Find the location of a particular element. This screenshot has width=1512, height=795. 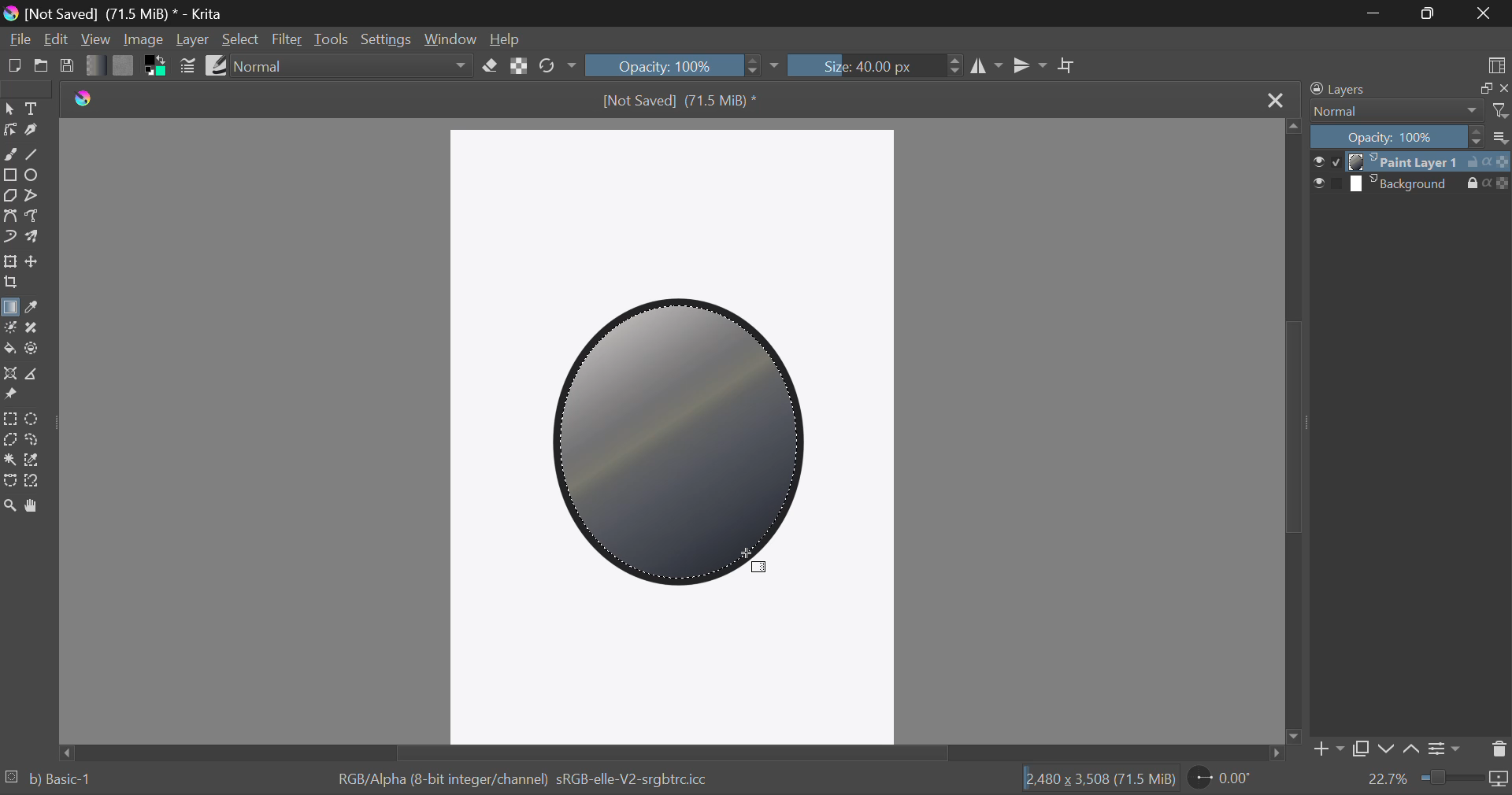

Lock Alpha is located at coordinates (521, 66).